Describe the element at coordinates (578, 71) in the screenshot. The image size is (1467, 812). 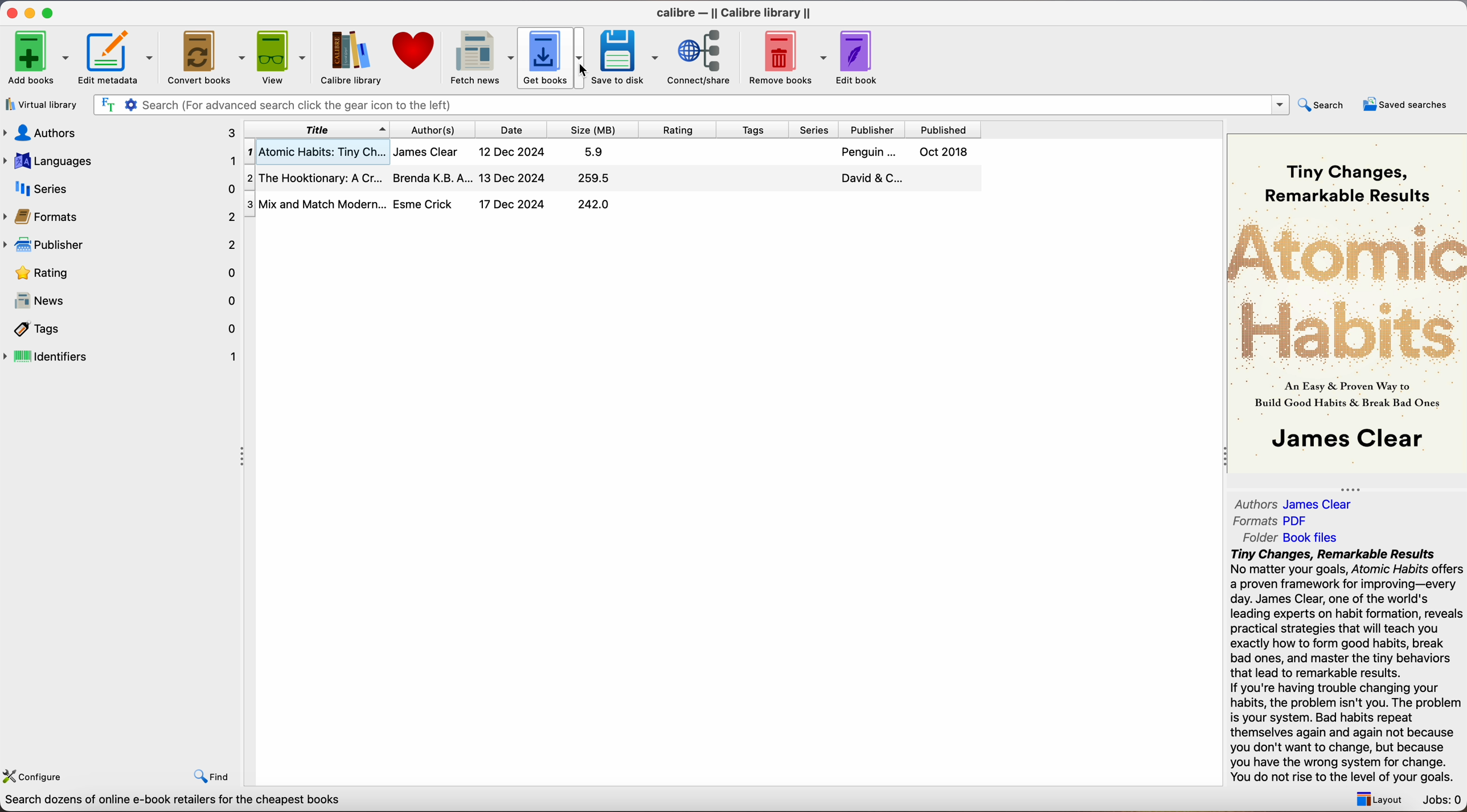
I see `cursor` at that location.